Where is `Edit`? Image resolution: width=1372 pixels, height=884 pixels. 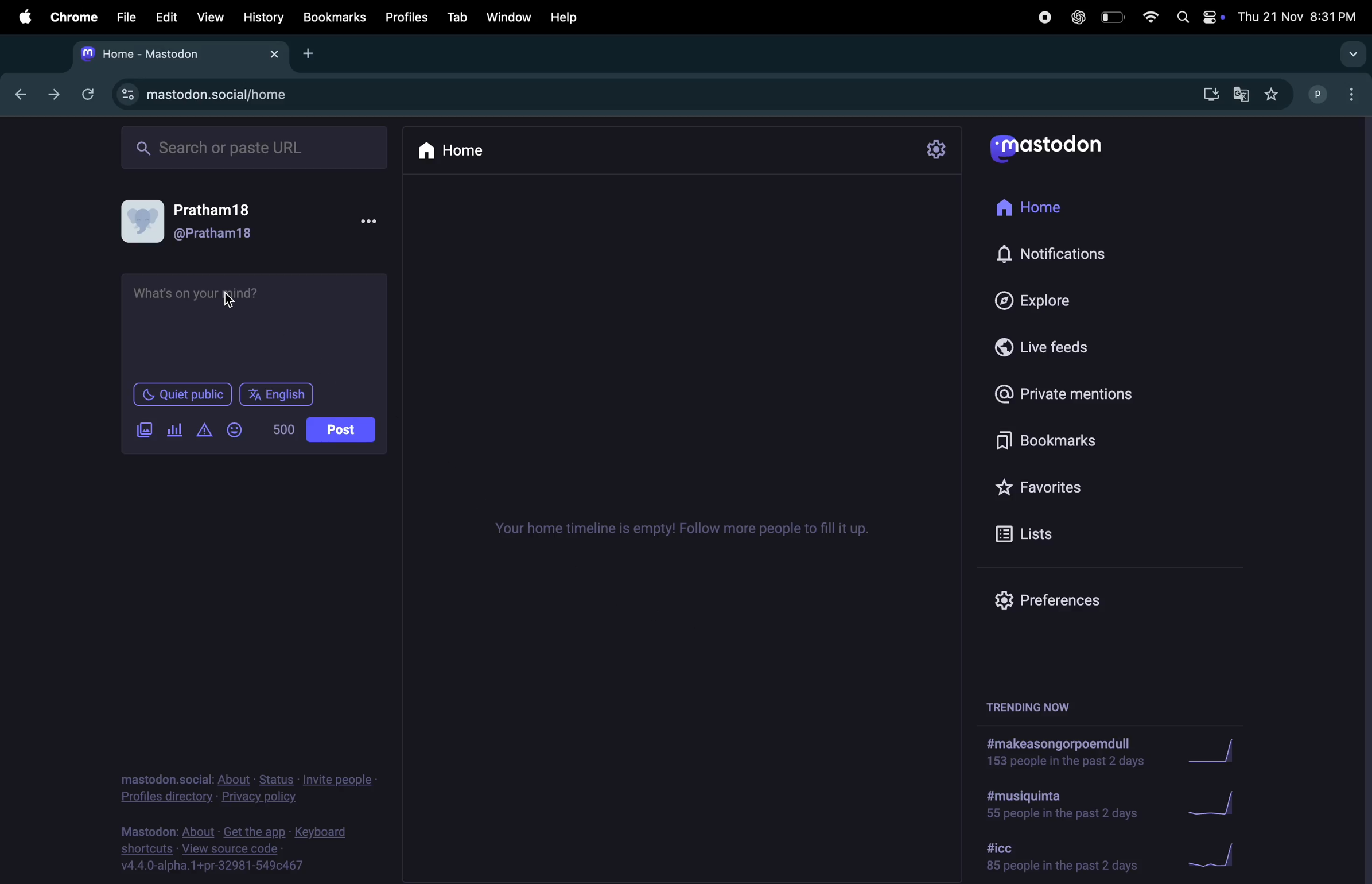
Edit is located at coordinates (166, 14).